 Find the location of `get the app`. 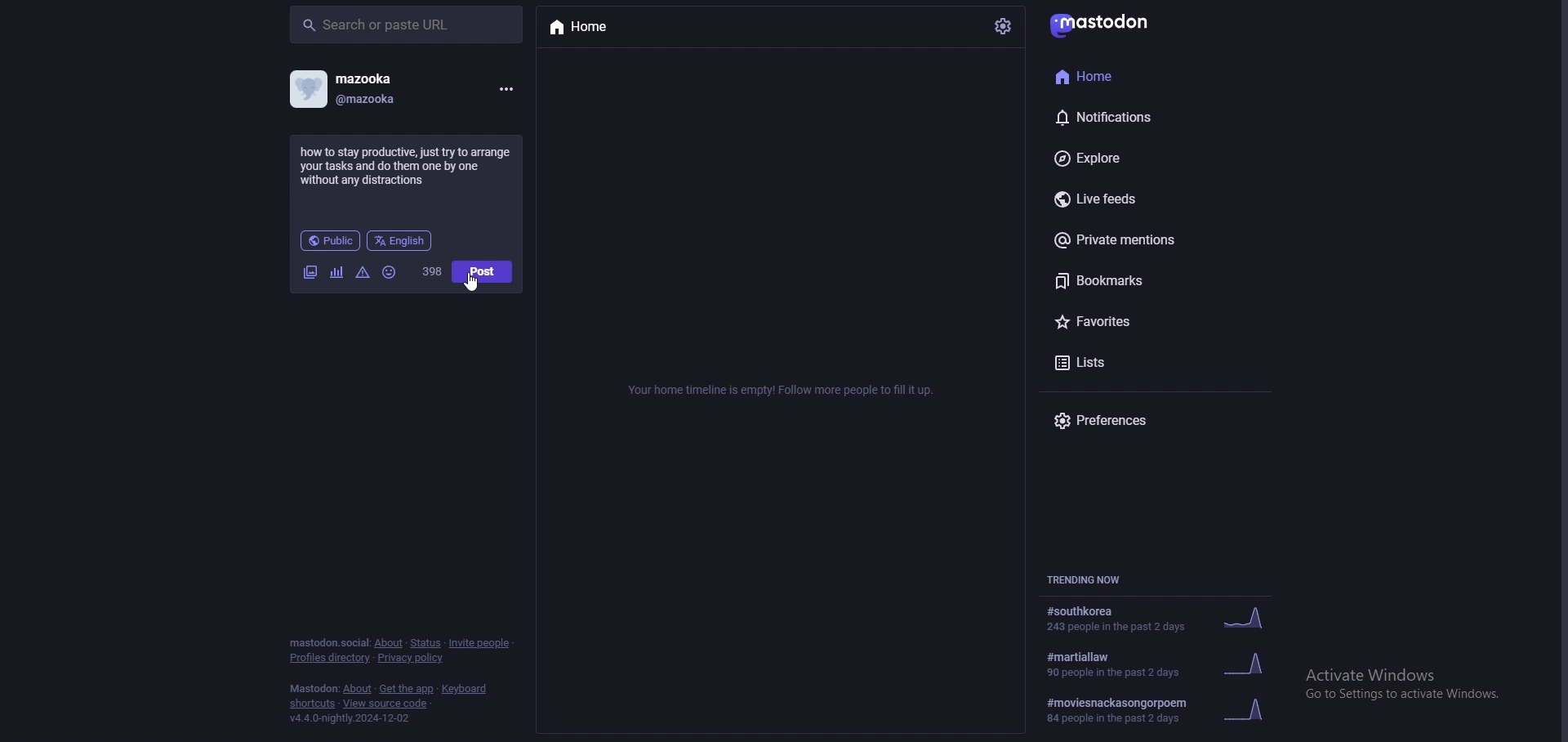

get the app is located at coordinates (407, 690).